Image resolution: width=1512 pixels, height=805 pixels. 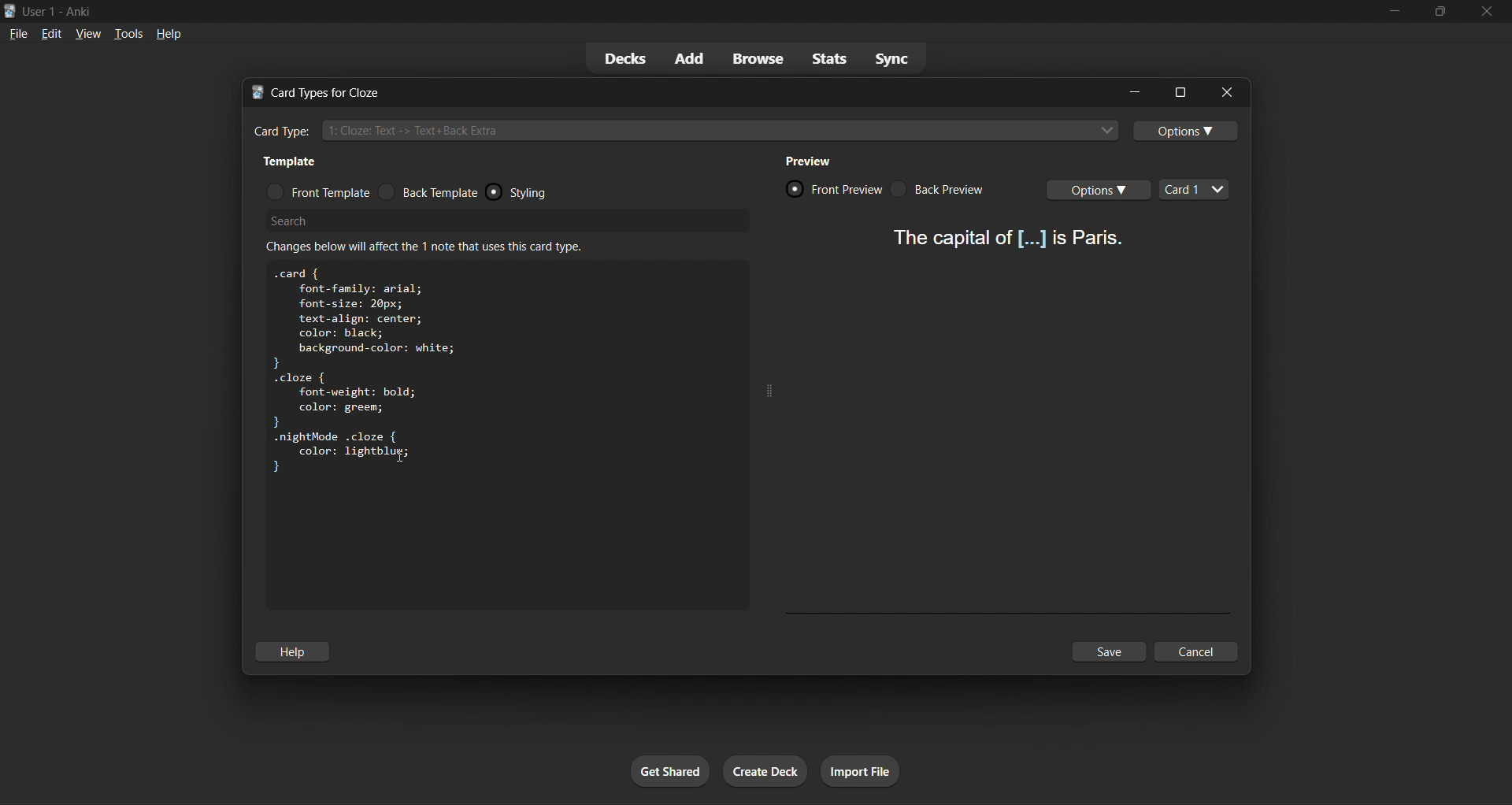 I want to click on card front preview, so click(x=832, y=188).